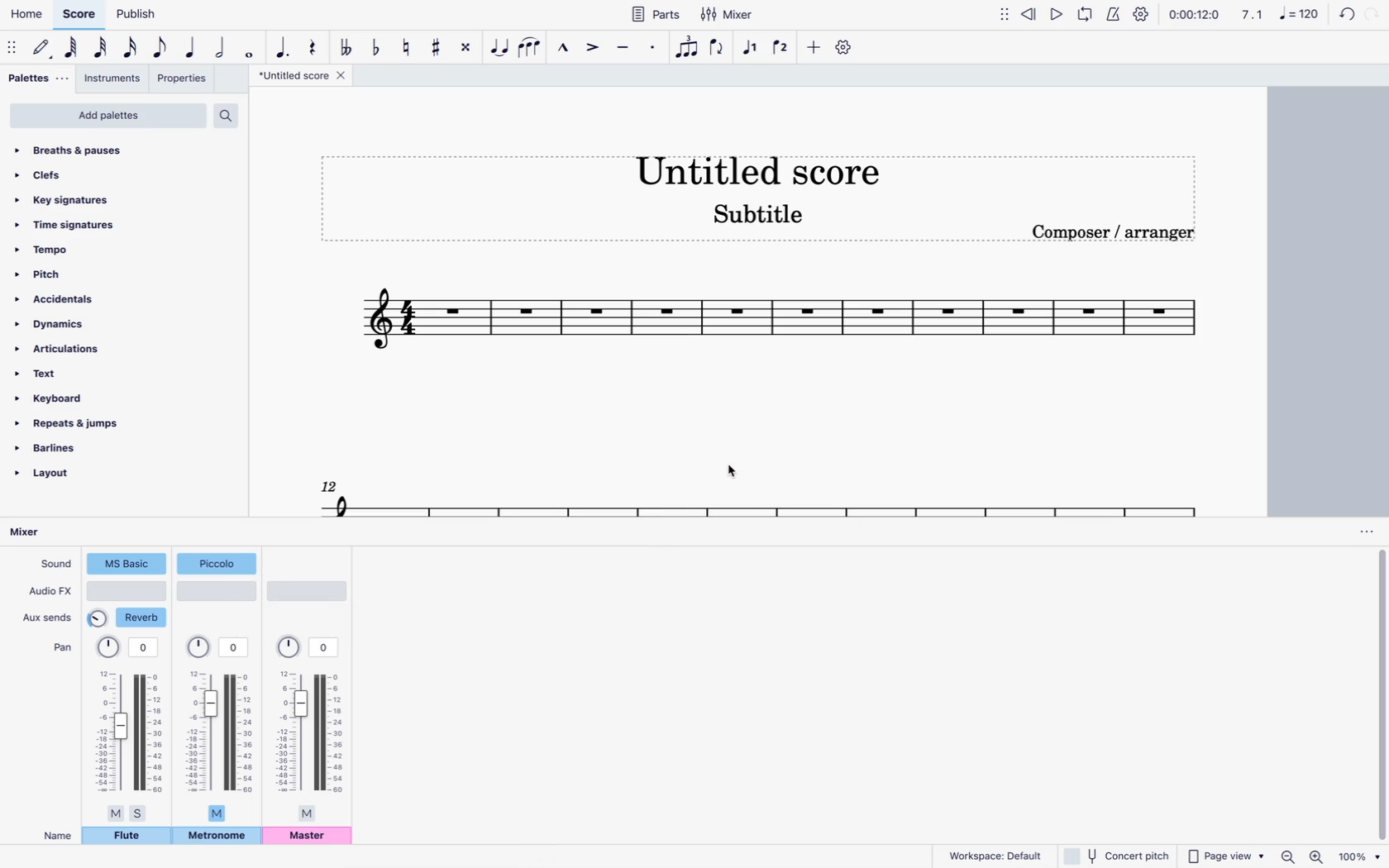 This screenshot has width=1389, height=868. What do you see at coordinates (109, 197) in the screenshot?
I see `key signatures` at bounding box center [109, 197].